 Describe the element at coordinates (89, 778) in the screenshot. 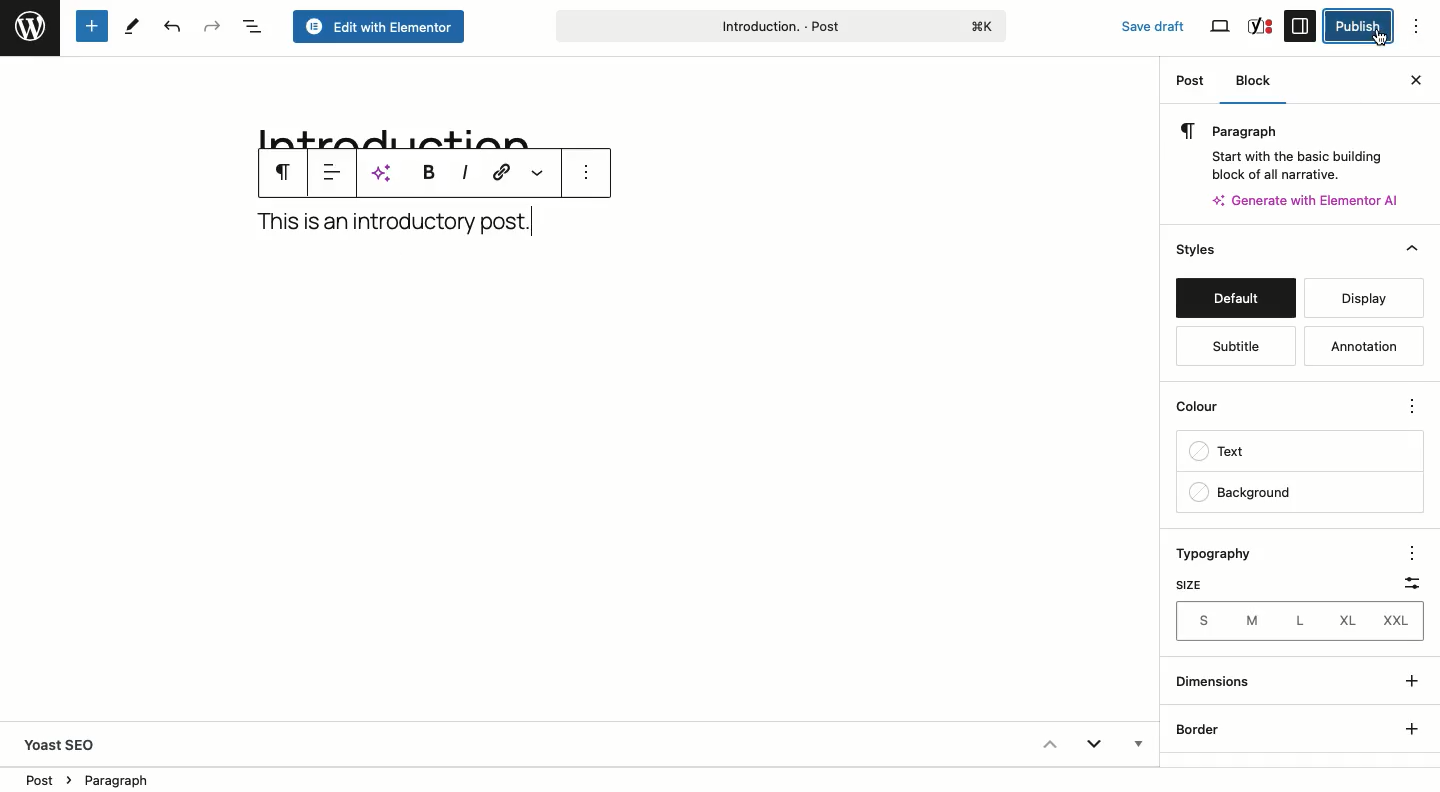

I see `Post > Paragraph` at that location.